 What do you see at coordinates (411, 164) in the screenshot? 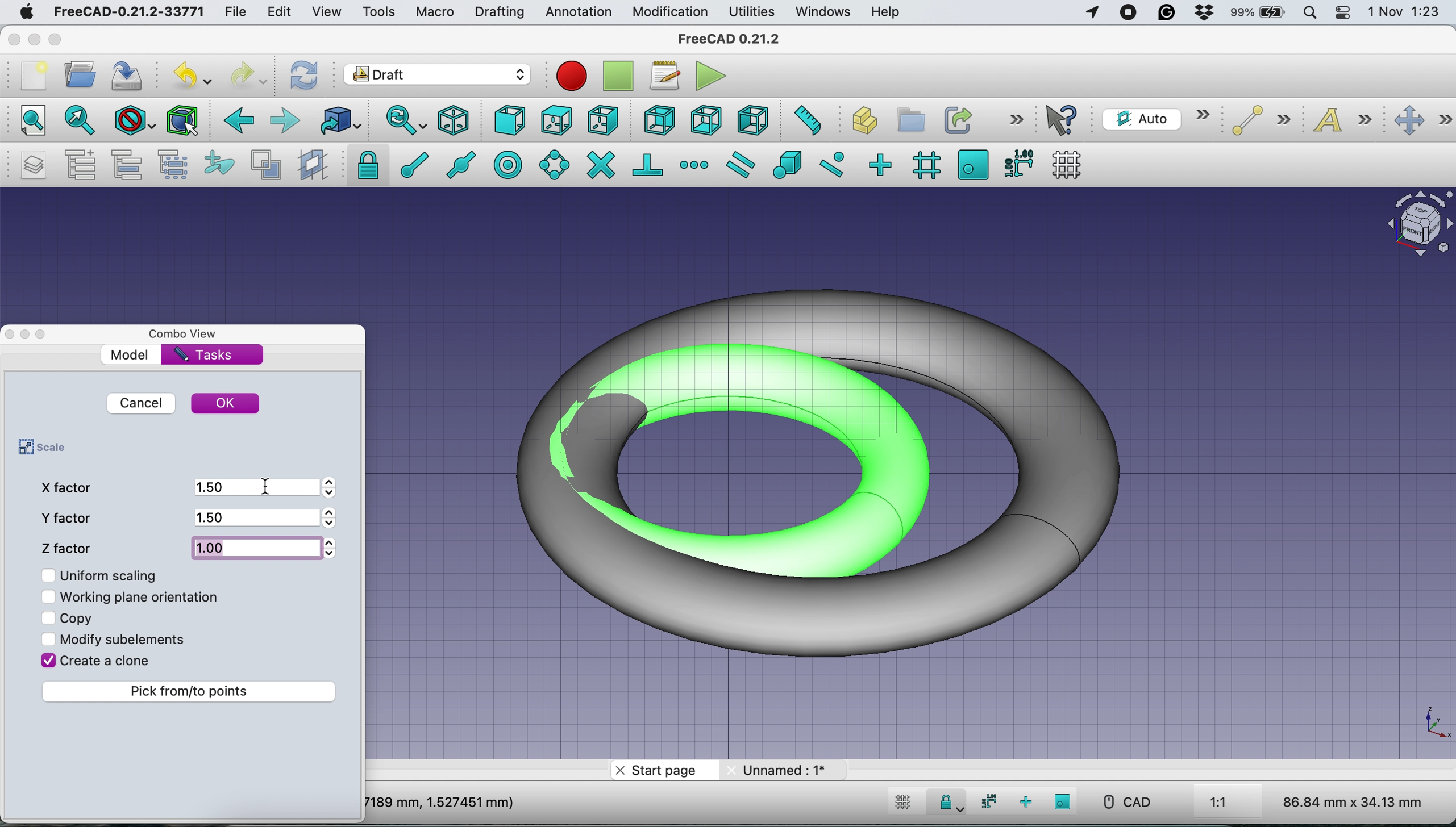
I see `snap endpoint` at bounding box center [411, 164].